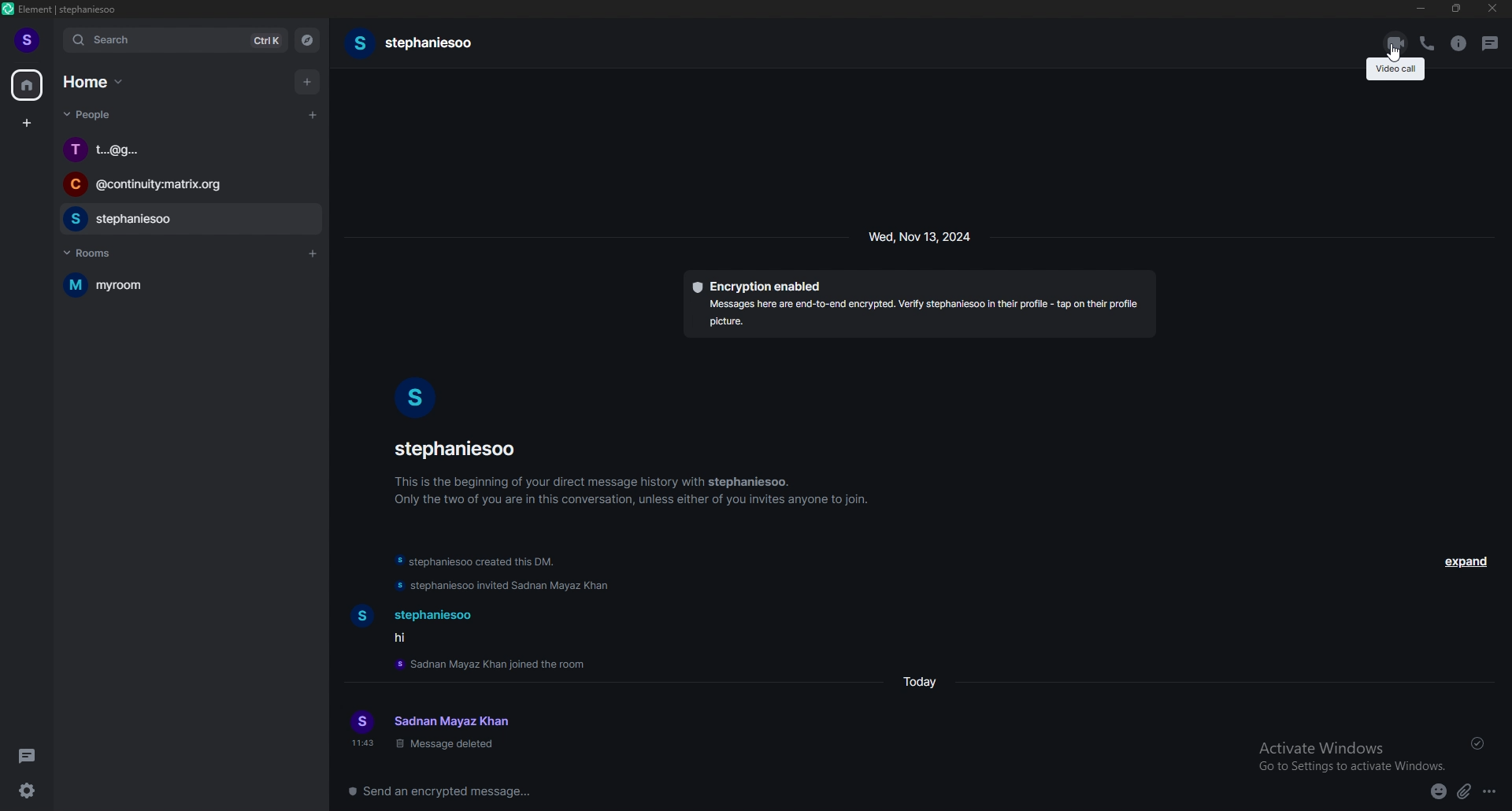 Image resolution: width=1512 pixels, height=811 pixels. Describe the element at coordinates (28, 85) in the screenshot. I see `home` at that location.